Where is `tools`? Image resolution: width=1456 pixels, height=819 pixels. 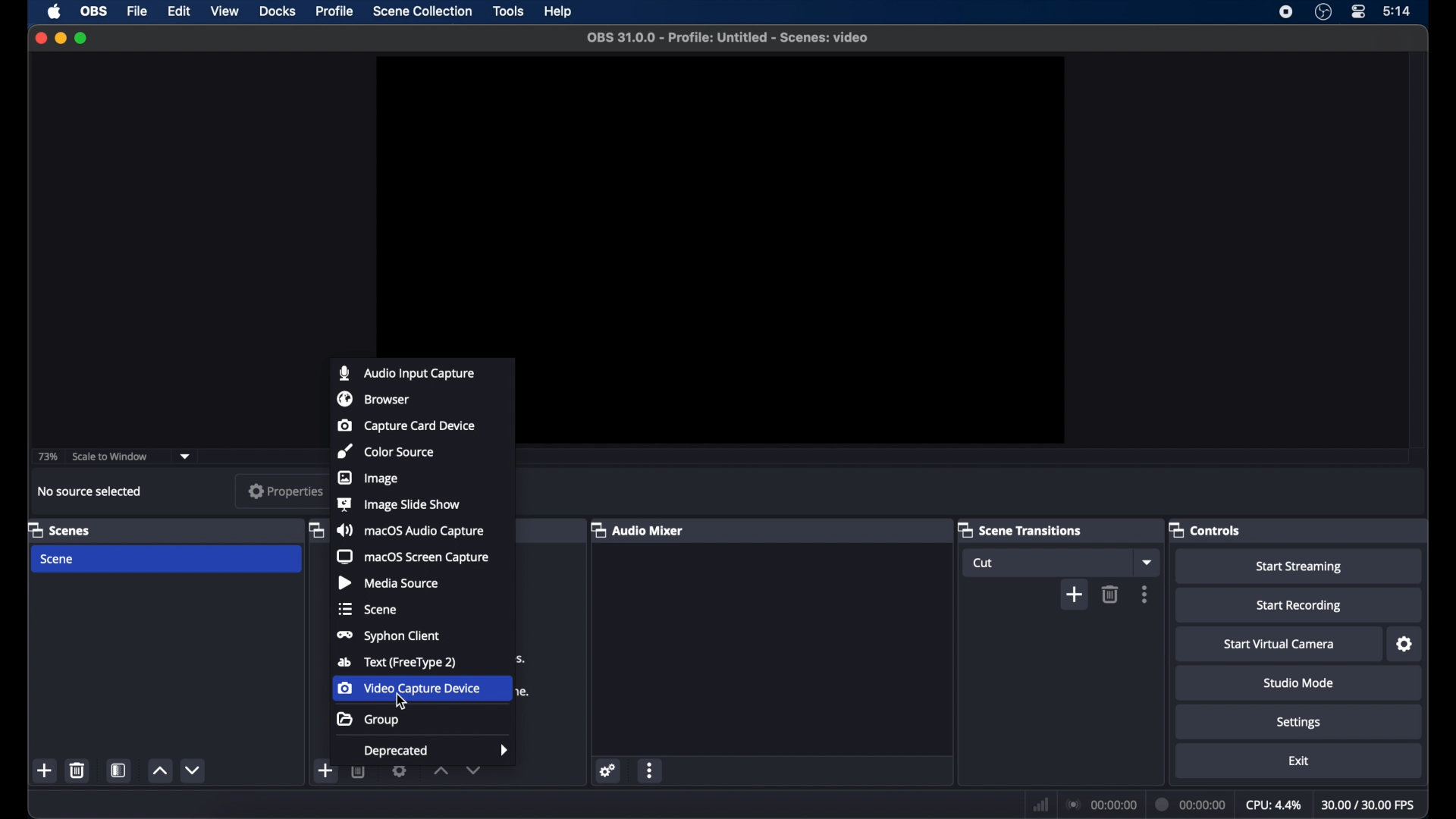 tools is located at coordinates (508, 10).